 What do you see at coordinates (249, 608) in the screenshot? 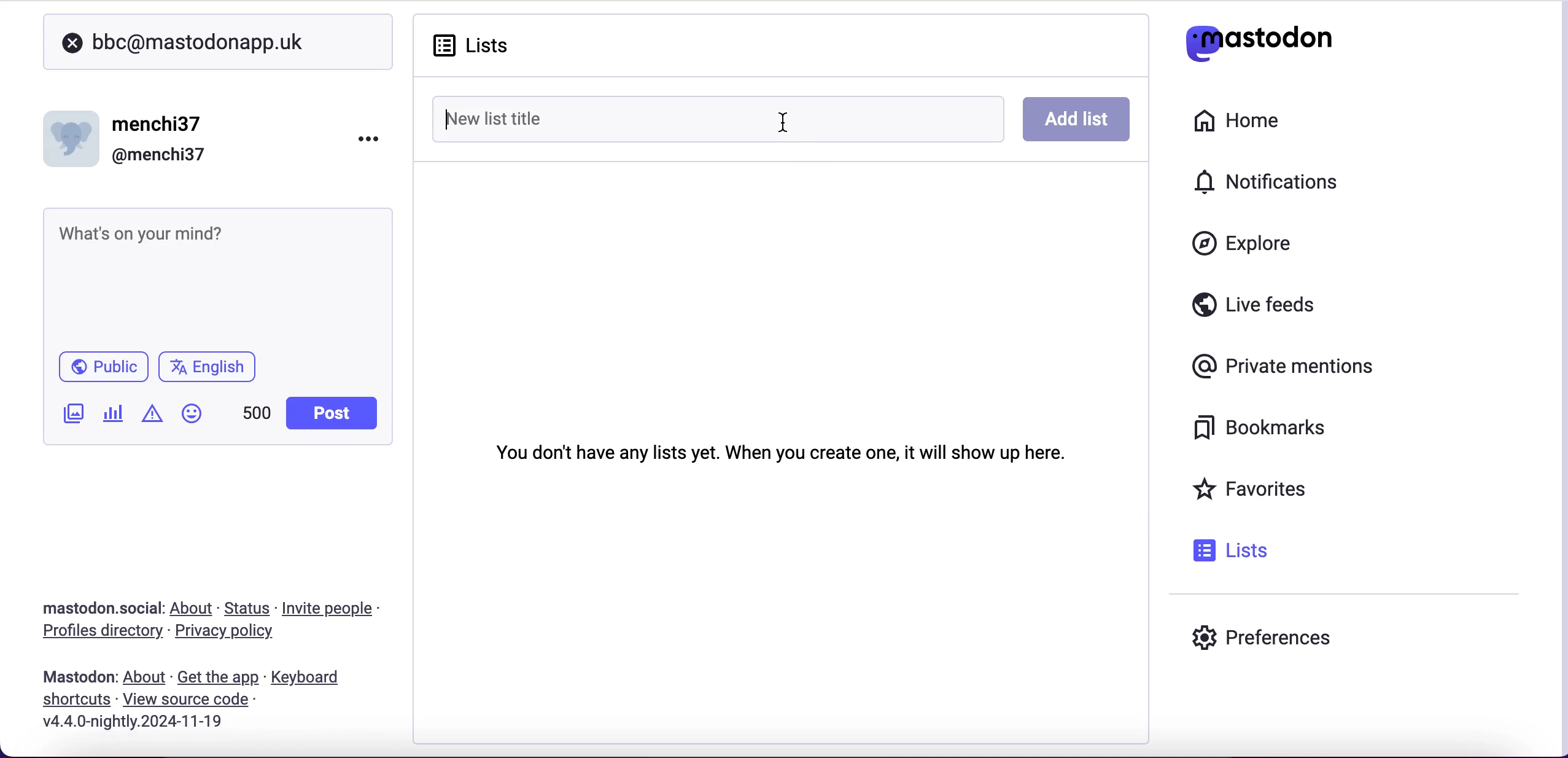
I see `status` at bounding box center [249, 608].